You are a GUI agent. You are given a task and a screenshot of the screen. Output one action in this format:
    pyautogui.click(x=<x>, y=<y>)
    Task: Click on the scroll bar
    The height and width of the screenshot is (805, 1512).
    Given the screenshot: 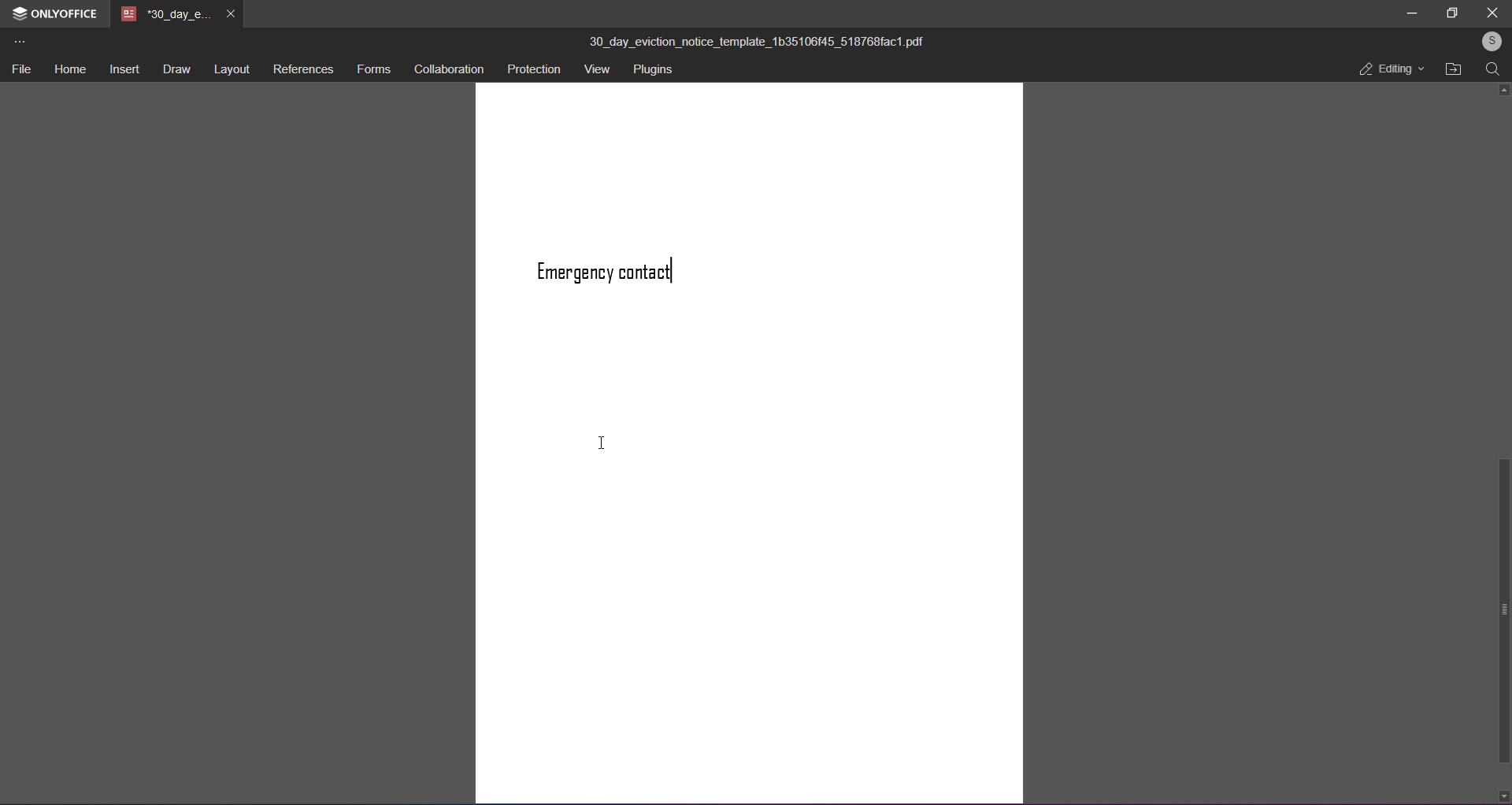 What is the action you would take?
    pyautogui.click(x=1502, y=611)
    